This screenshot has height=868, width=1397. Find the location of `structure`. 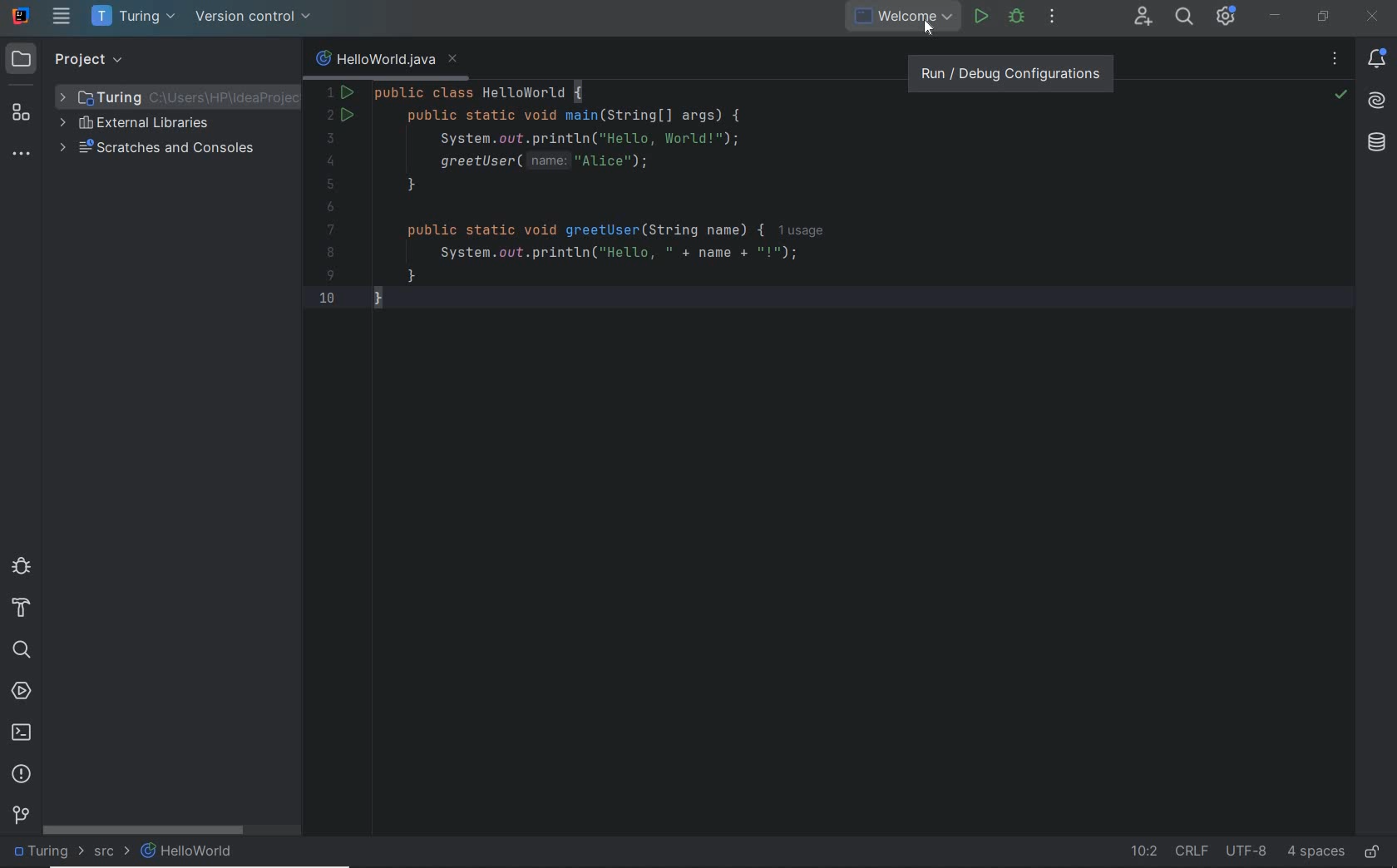

structure is located at coordinates (22, 113).